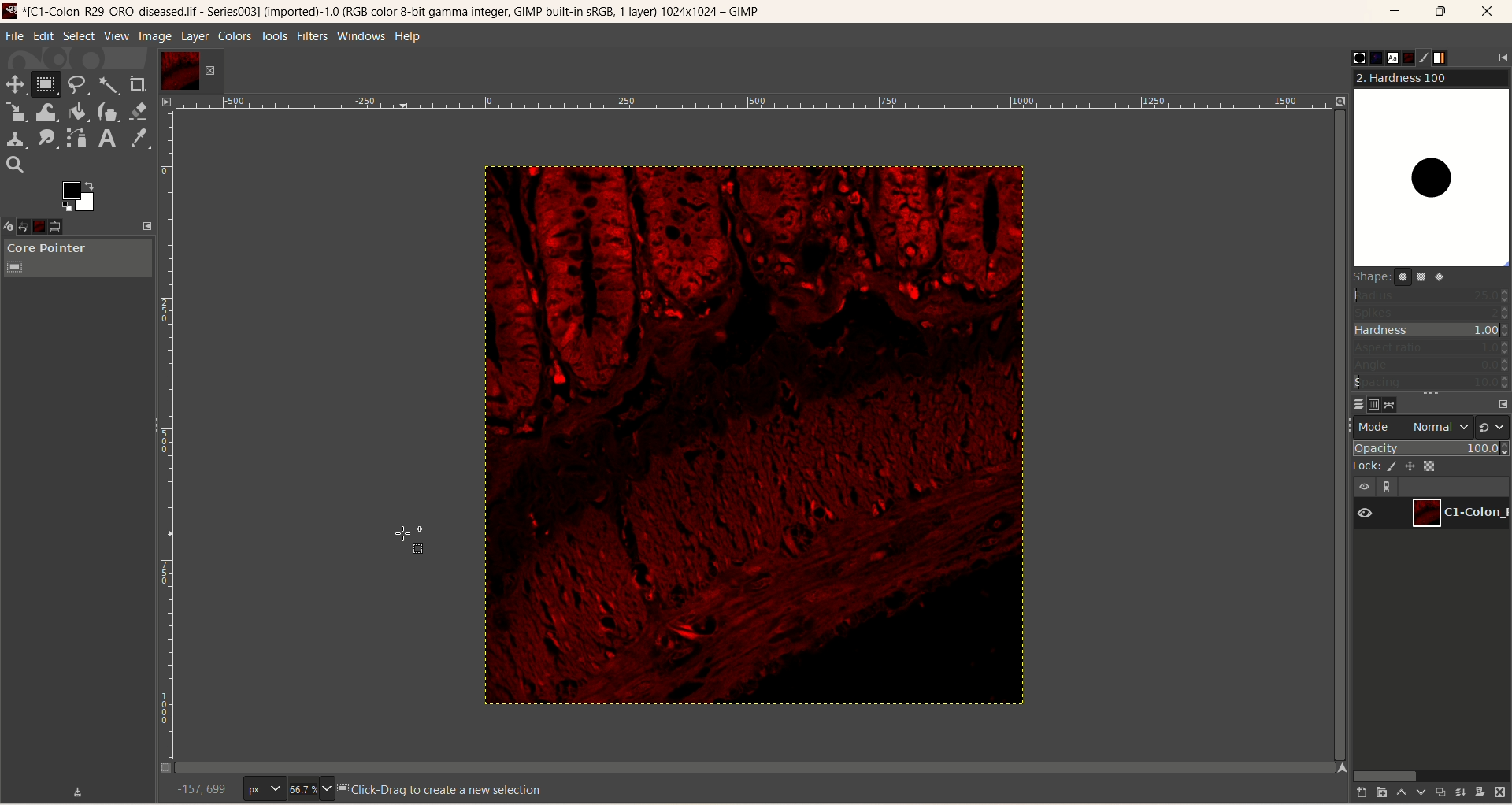 This screenshot has width=1512, height=805. What do you see at coordinates (1429, 774) in the screenshot?
I see `horizontal scroll bar` at bounding box center [1429, 774].